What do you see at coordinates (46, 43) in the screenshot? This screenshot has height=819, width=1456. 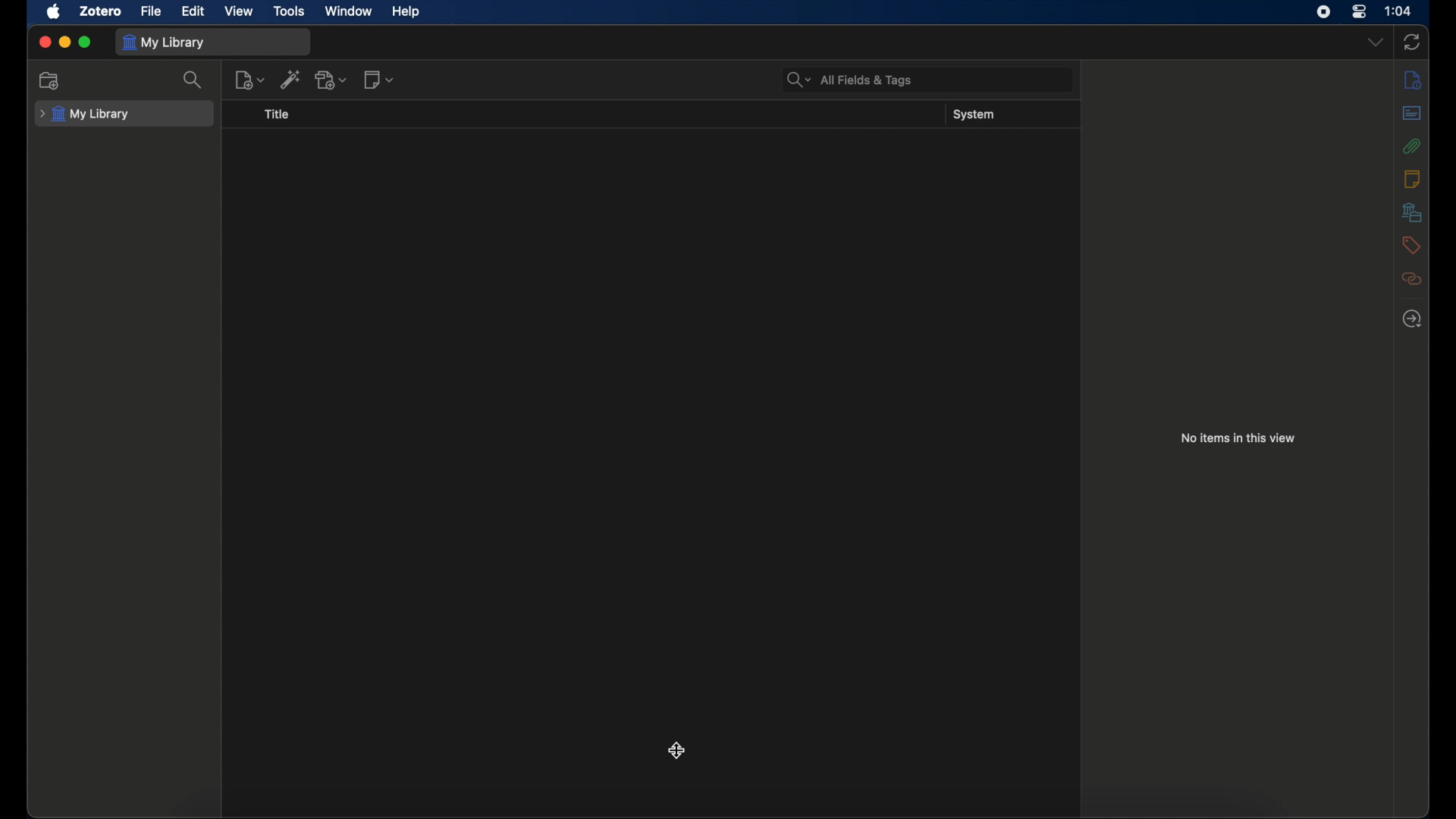 I see `close` at bounding box center [46, 43].